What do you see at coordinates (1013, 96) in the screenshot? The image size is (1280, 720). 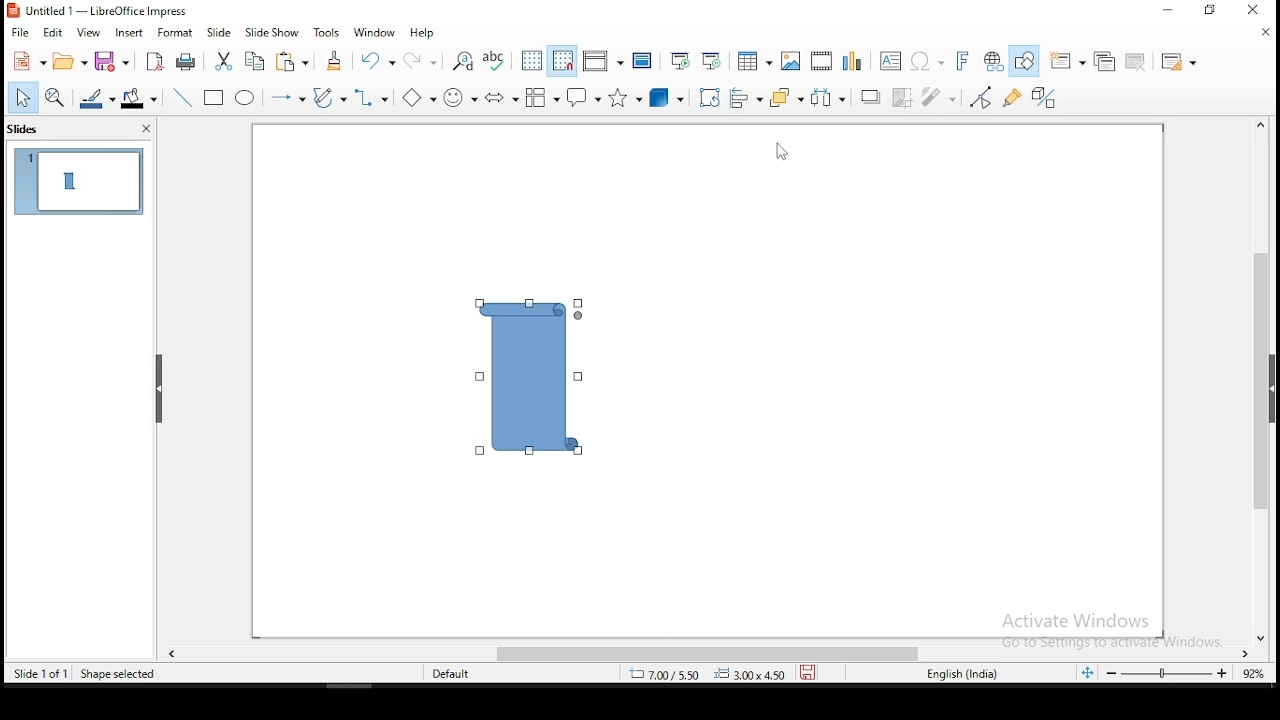 I see `show gluepoint functions` at bounding box center [1013, 96].